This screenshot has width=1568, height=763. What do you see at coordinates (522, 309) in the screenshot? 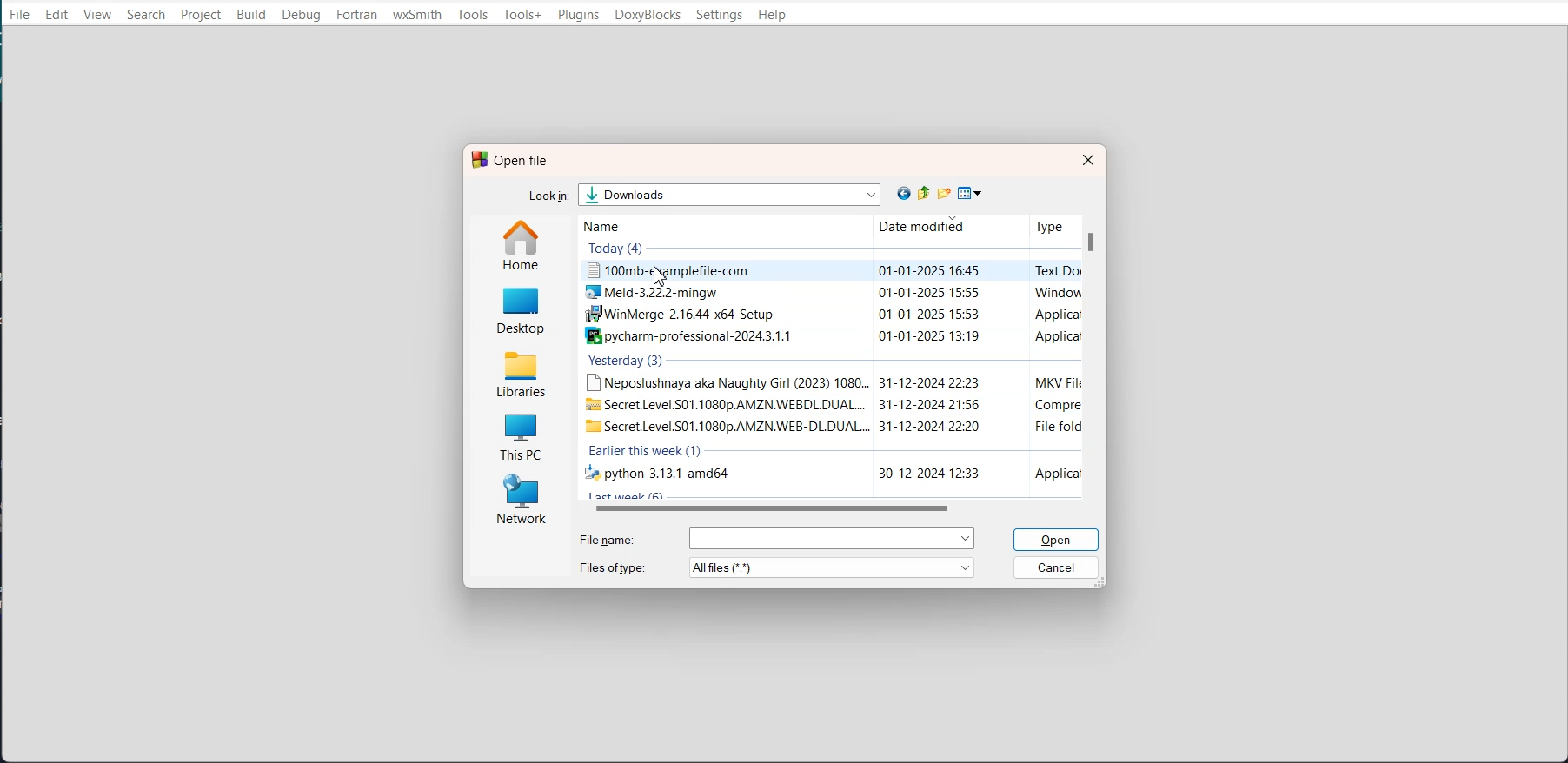
I see `Desktop` at bounding box center [522, 309].